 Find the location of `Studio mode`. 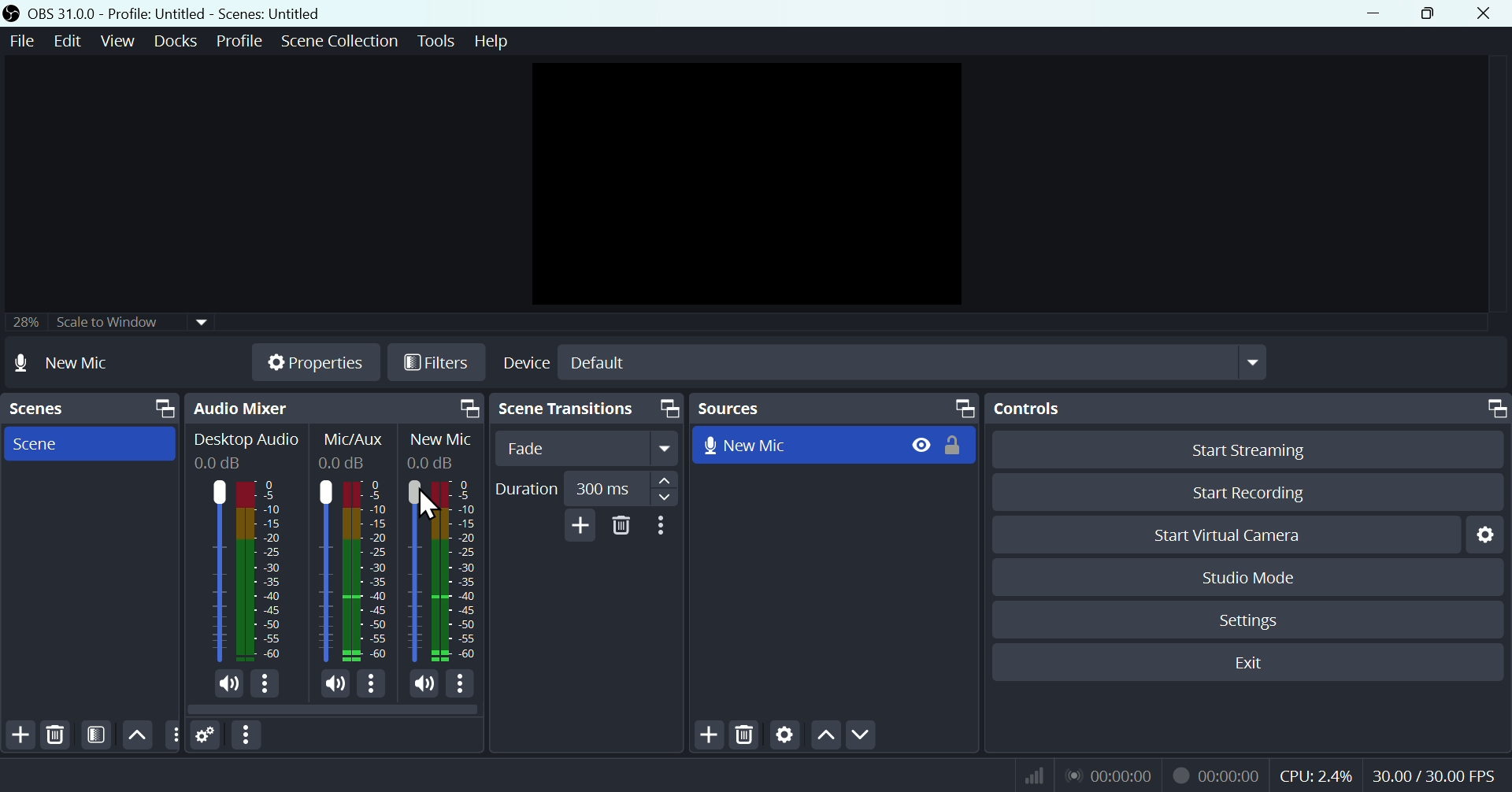

Studio mode is located at coordinates (1250, 577).